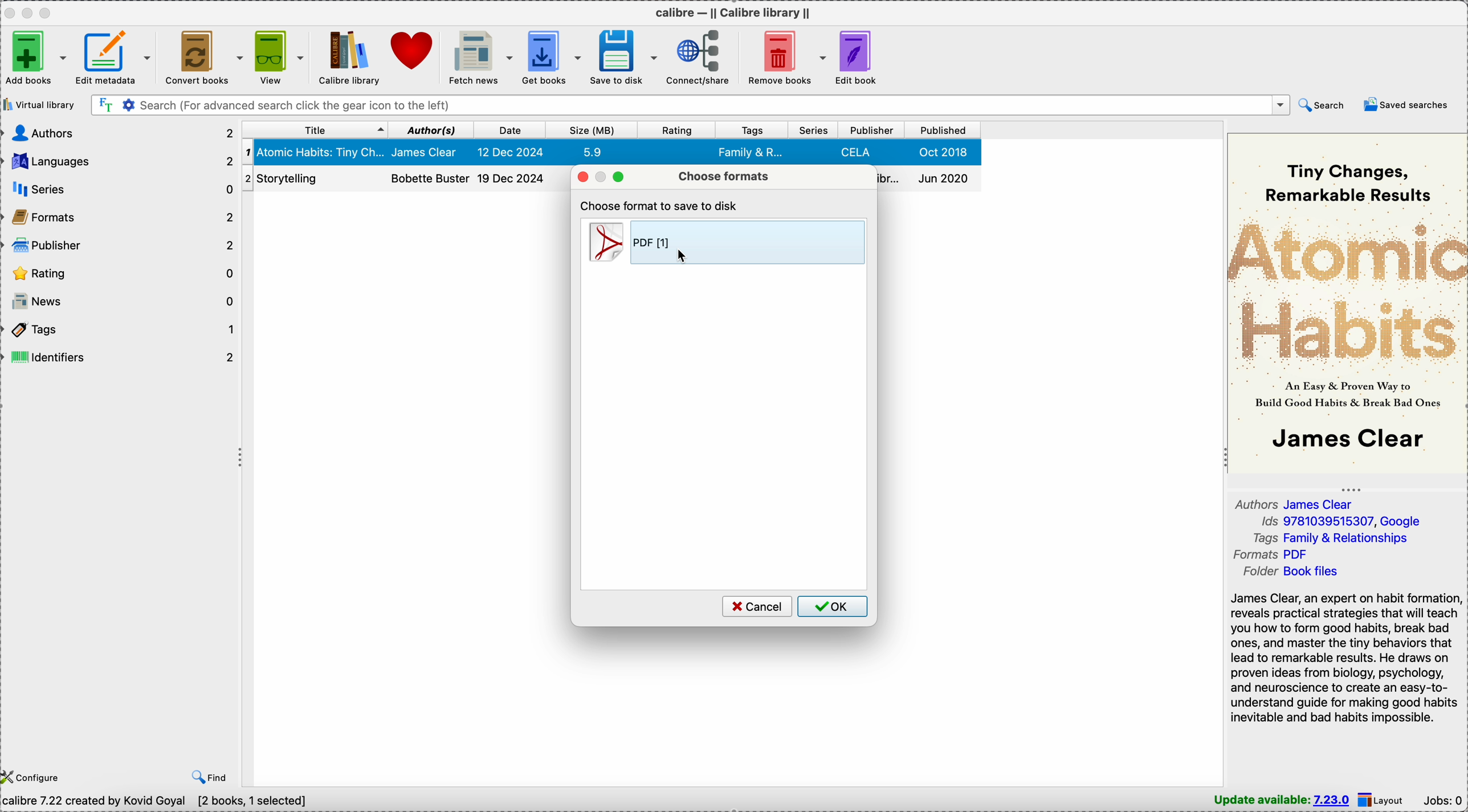  I want to click on edit book, so click(861, 55).